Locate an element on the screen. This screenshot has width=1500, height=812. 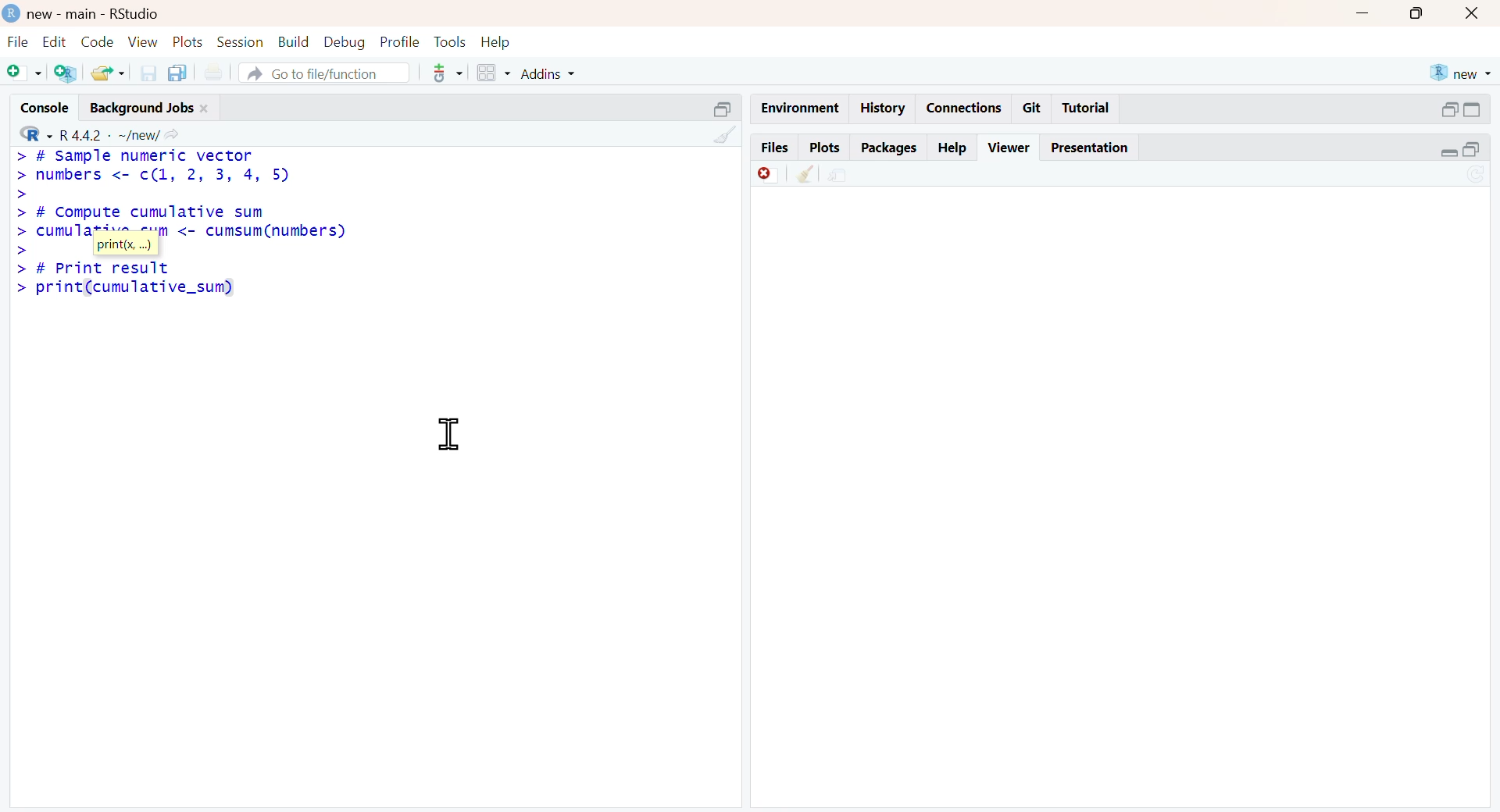
plots is located at coordinates (187, 40).